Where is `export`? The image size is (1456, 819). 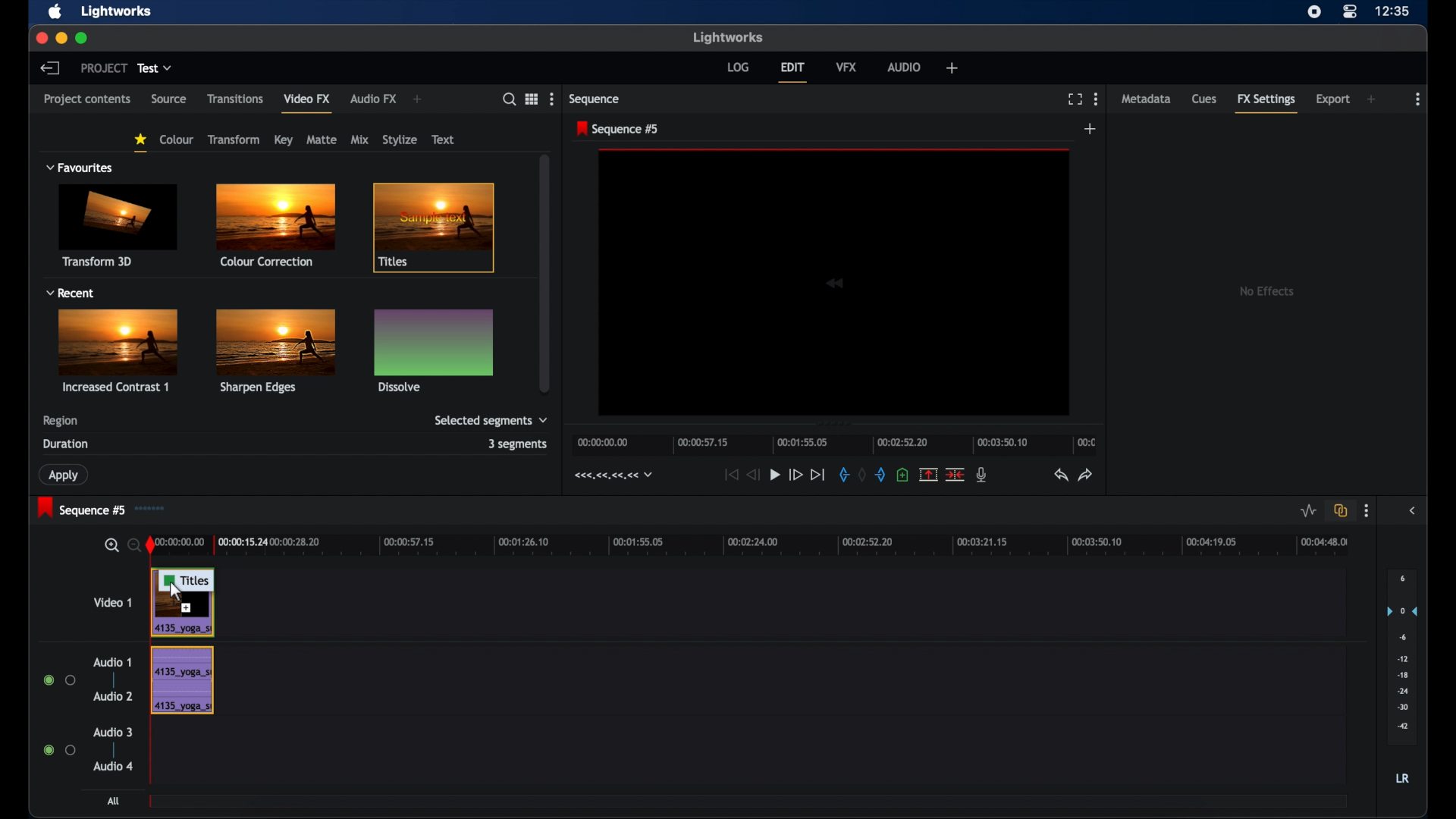 export is located at coordinates (1332, 99).